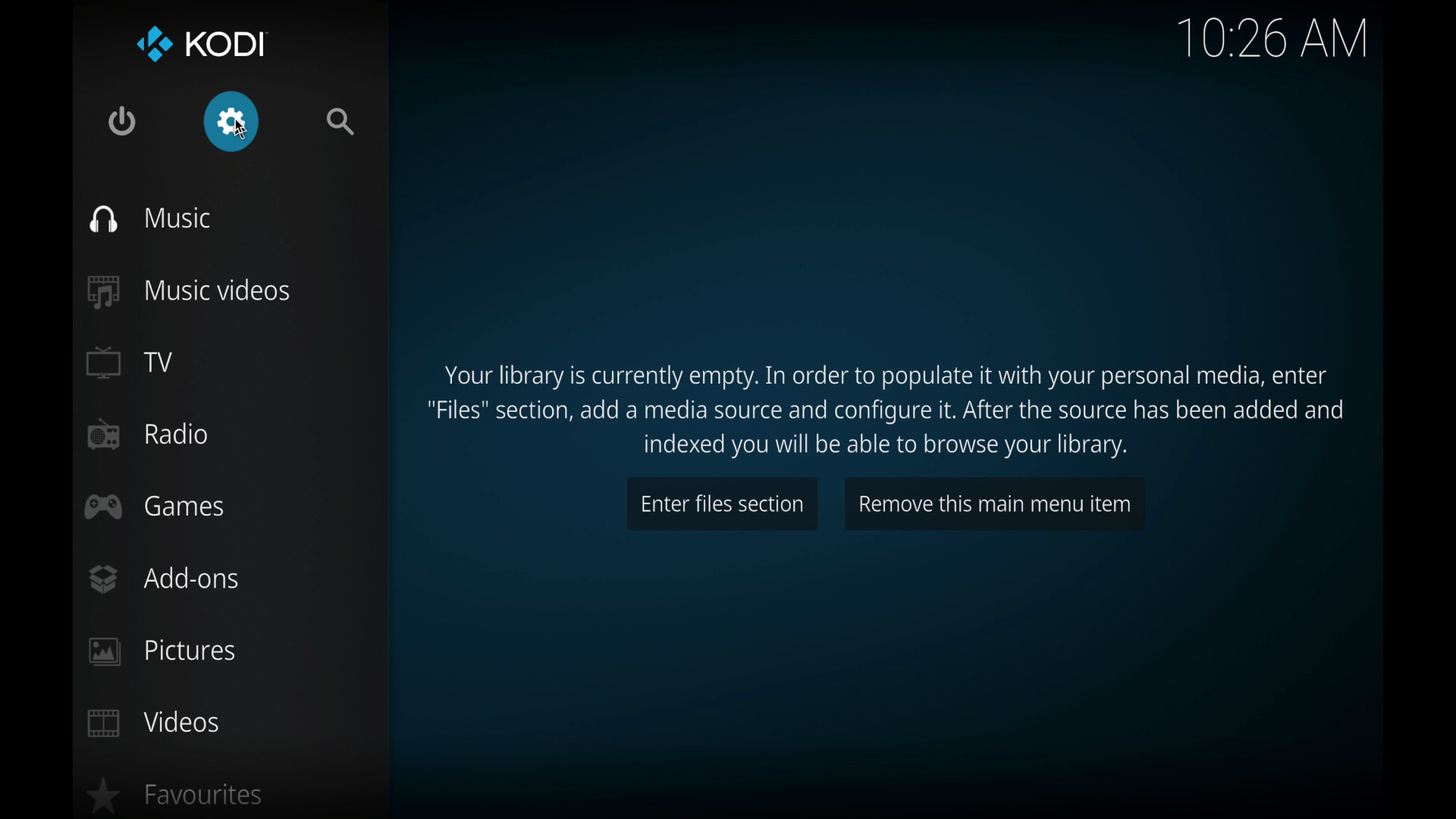 This screenshot has width=1456, height=819. What do you see at coordinates (203, 45) in the screenshot?
I see `kodi` at bounding box center [203, 45].